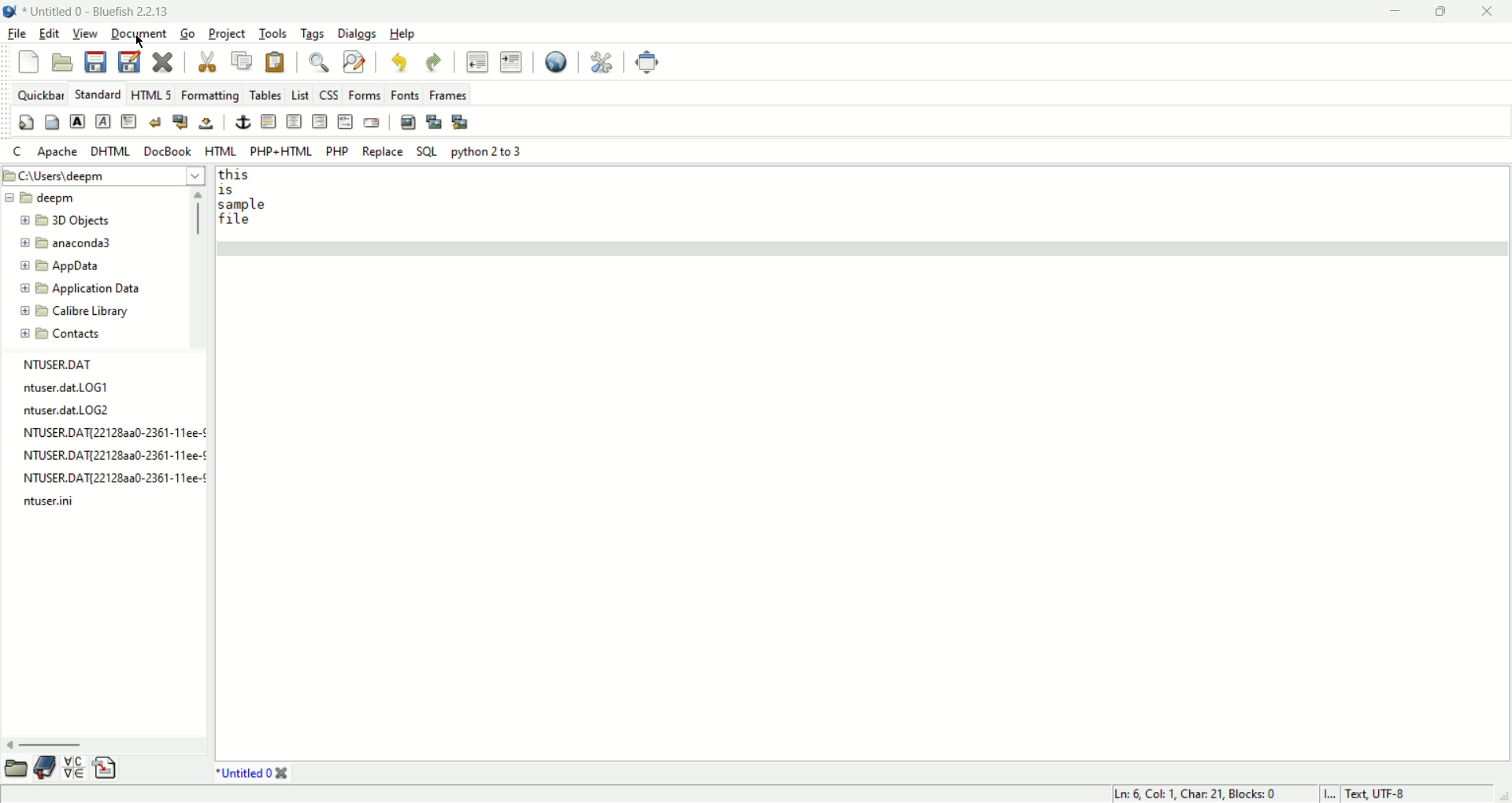  What do you see at coordinates (345, 122) in the screenshot?
I see `HTML comment` at bounding box center [345, 122].